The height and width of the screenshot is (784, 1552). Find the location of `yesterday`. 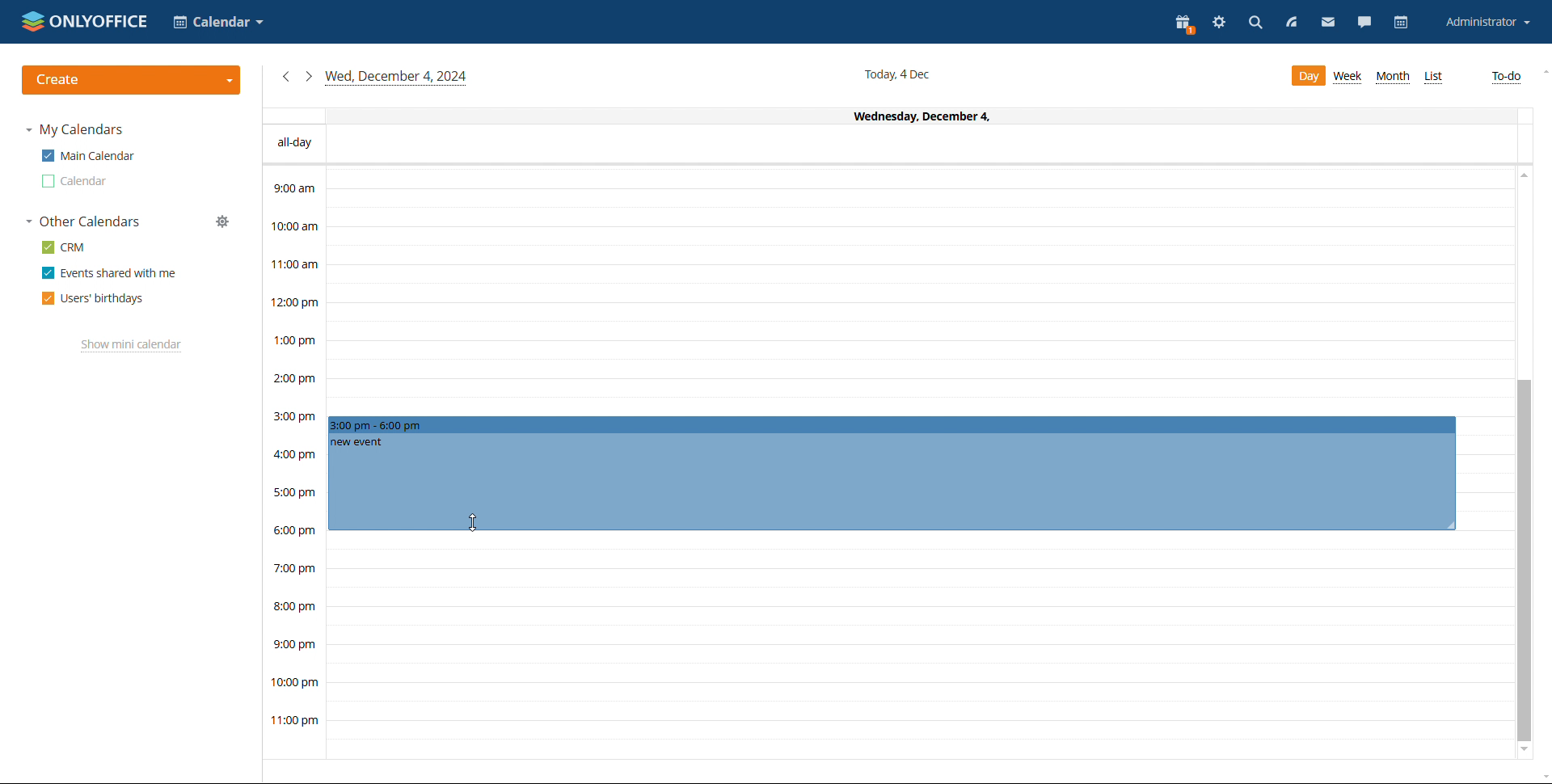

yesterday is located at coordinates (285, 77).